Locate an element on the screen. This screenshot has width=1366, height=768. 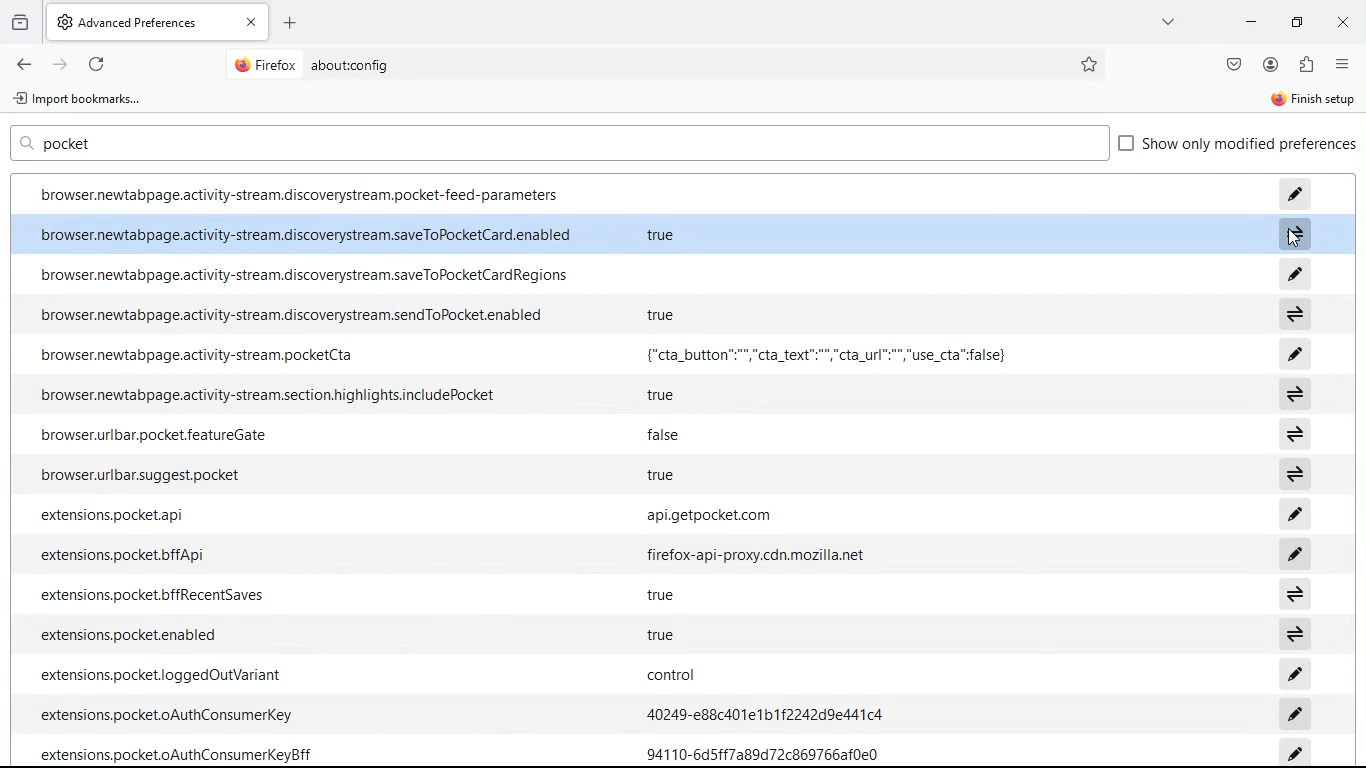
{"cta_button™"","cta_text":"","cta_url":"","use_cta"false} is located at coordinates (823, 355).